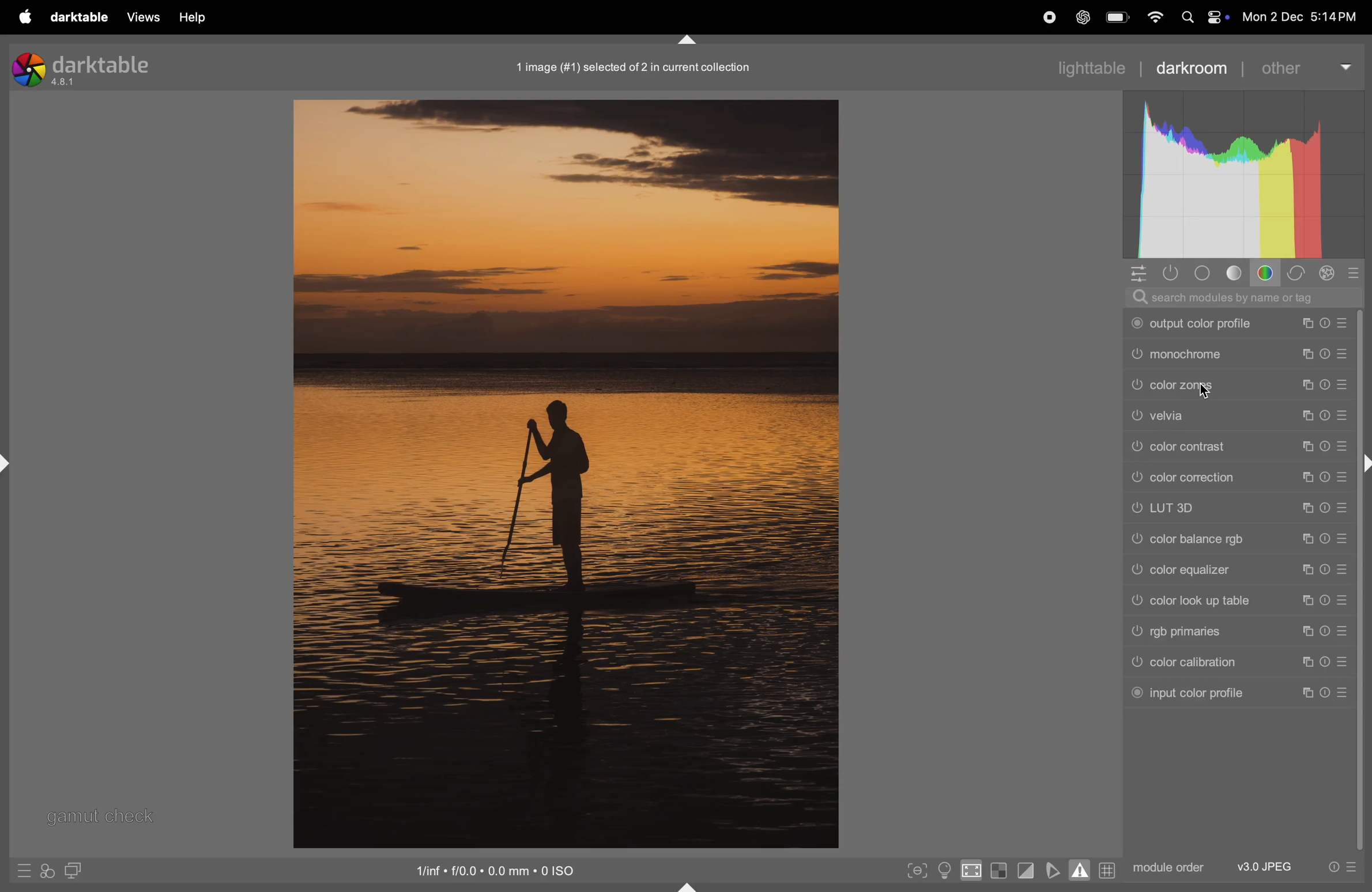 The image size is (1372, 892). What do you see at coordinates (566, 474) in the screenshot?
I see `image` at bounding box center [566, 474].